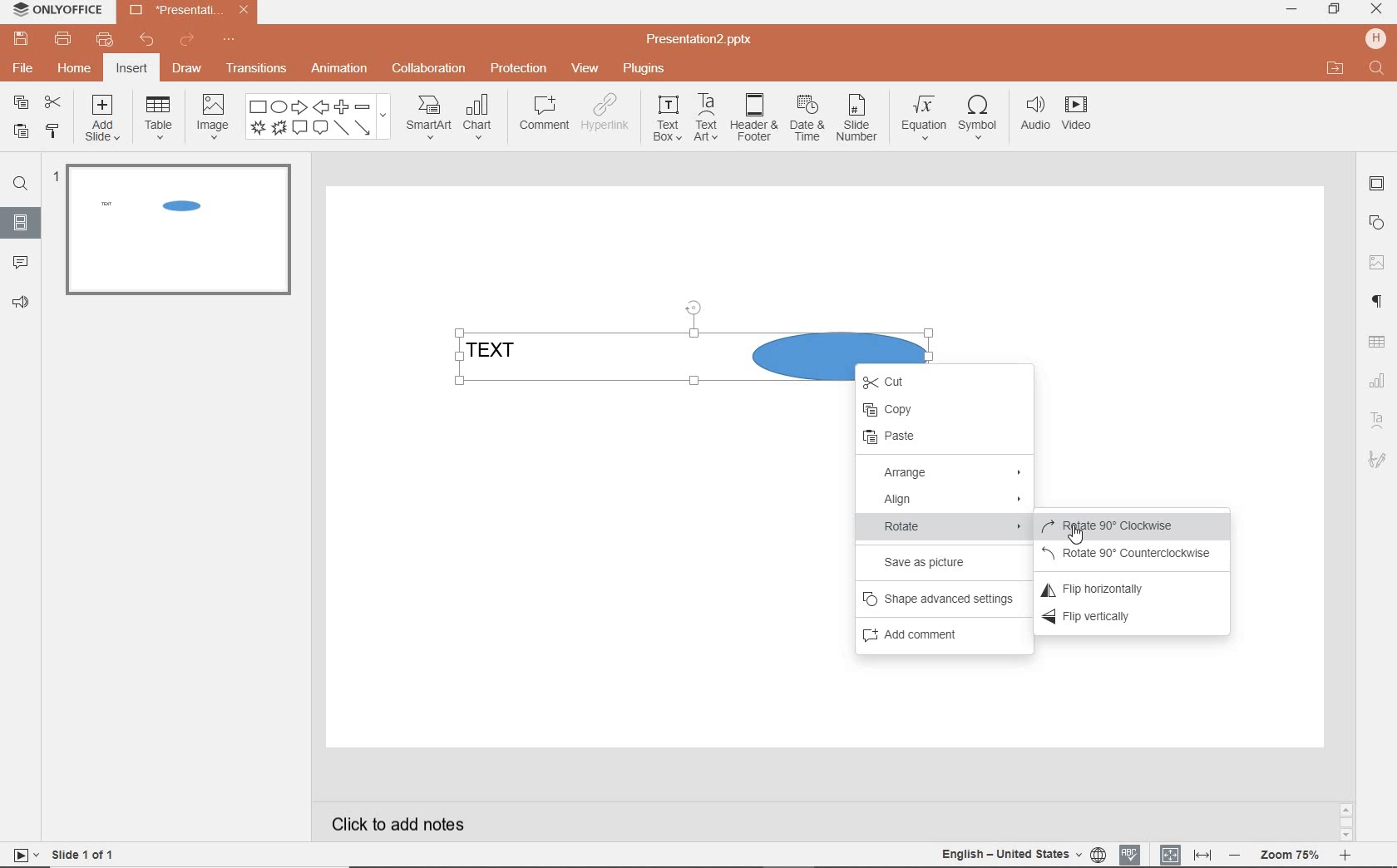  I want to click on FIT TO SLIDE / FIT TO WIDTH, so click(1187, 853).